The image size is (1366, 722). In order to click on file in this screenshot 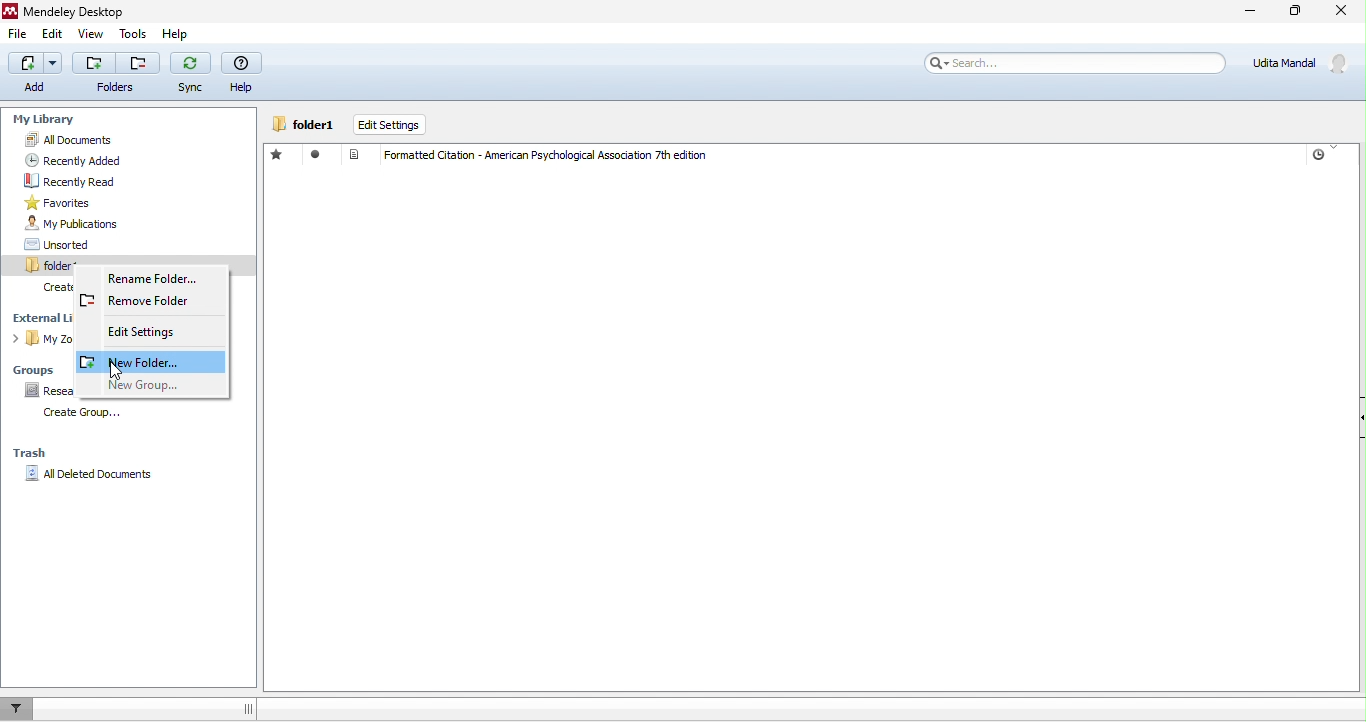, I will do `click(15, 34)`.